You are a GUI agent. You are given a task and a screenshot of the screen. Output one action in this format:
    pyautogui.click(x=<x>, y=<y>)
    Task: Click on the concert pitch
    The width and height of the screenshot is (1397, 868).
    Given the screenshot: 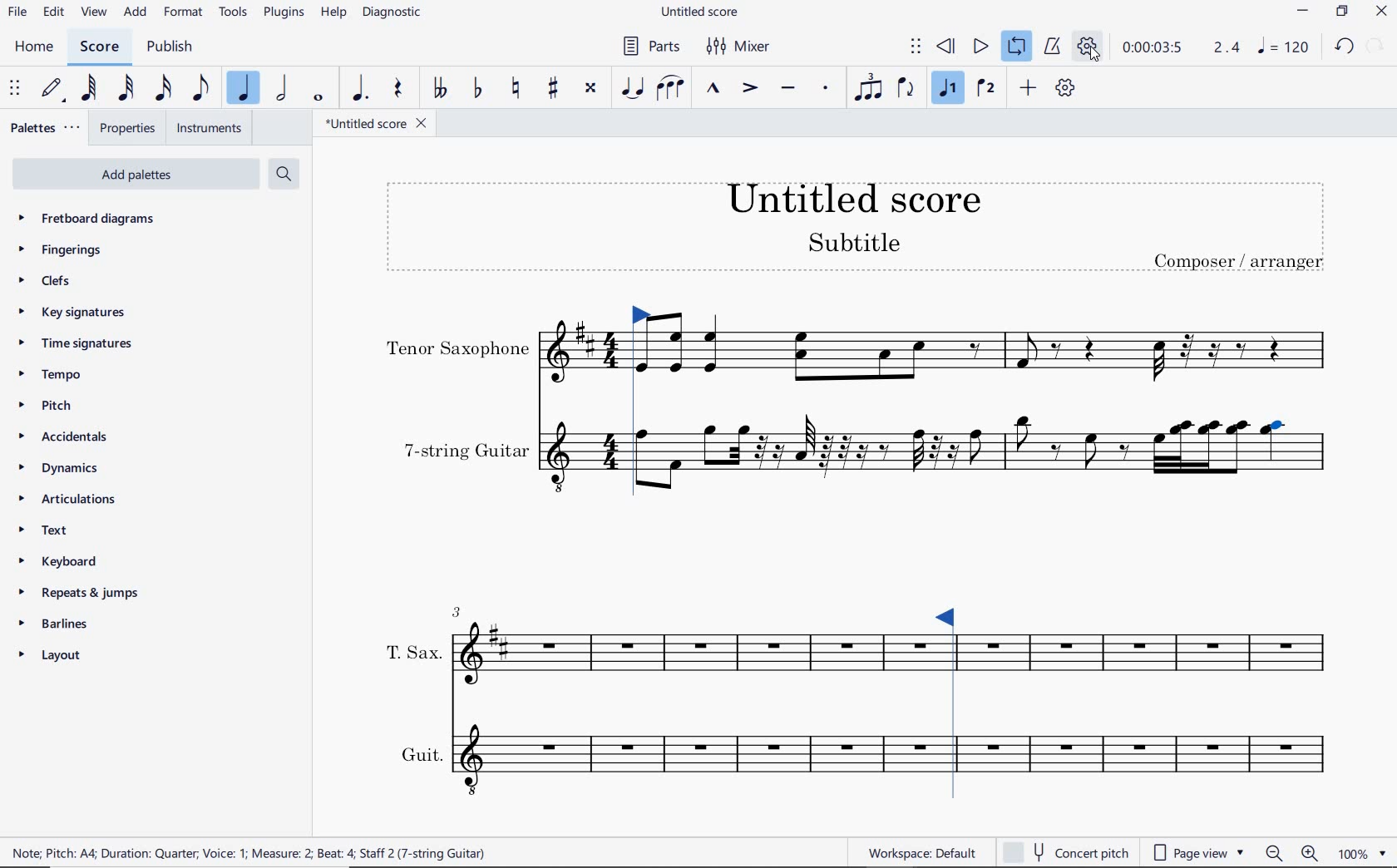 What is the action you would take?
    pyautogui.click(x=1066, y=850)
    